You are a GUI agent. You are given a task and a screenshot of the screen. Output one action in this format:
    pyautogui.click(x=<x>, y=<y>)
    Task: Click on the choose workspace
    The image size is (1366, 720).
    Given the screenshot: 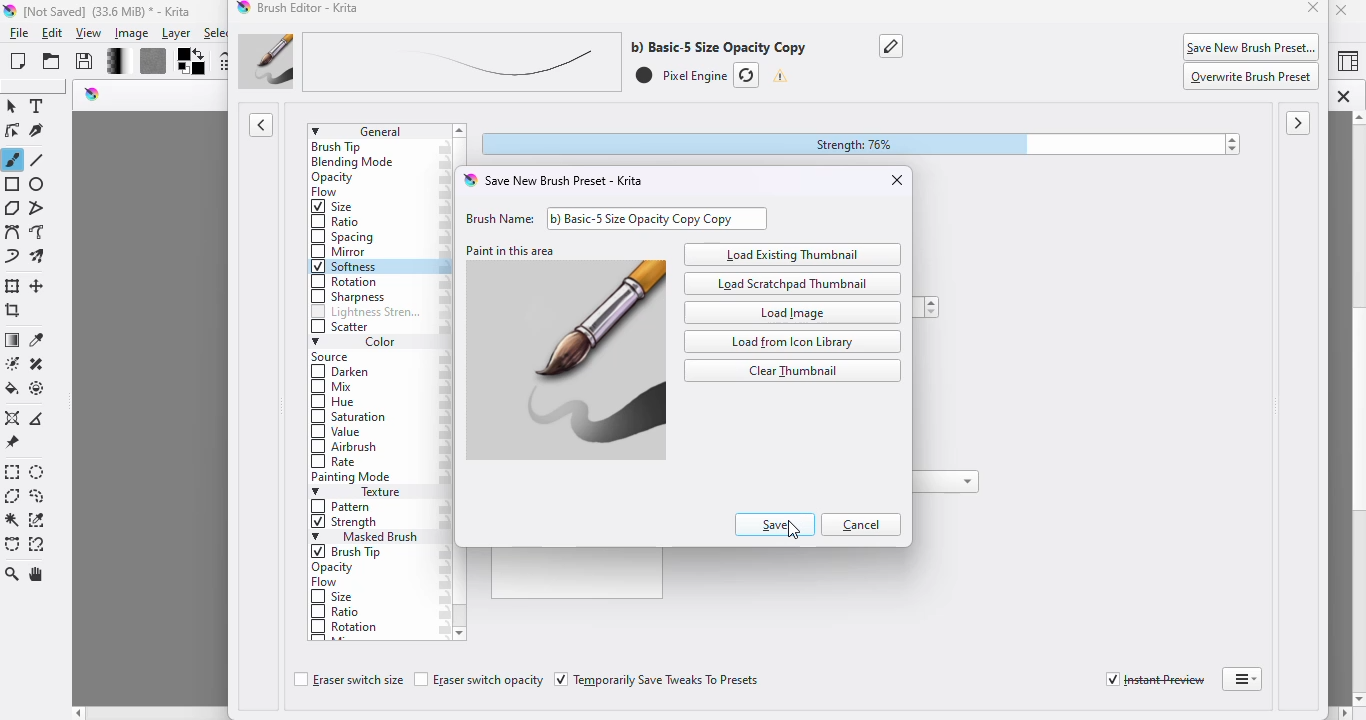 What is the action you would take?
    pyautogui.click(x=1347, y=63)
    